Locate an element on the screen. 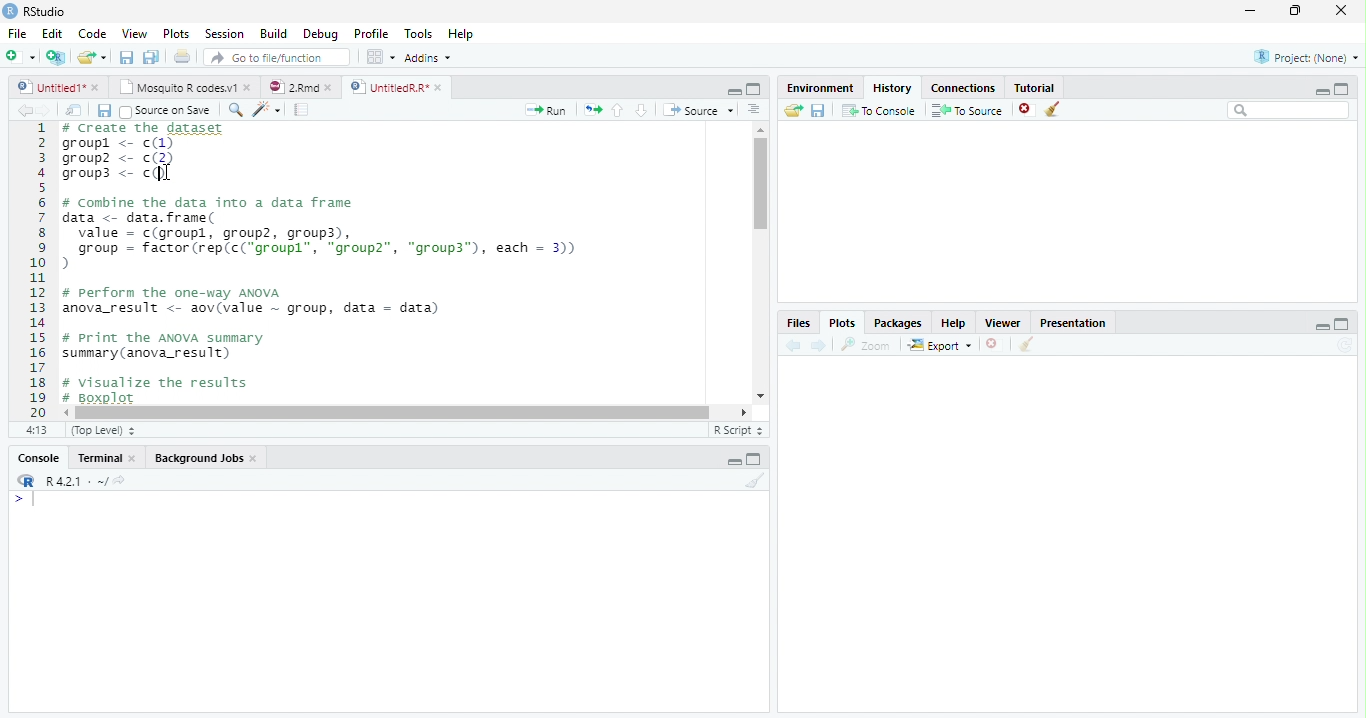 This screenshot has width=1366, height=718. Magic code is located at coordinates (267, 111).